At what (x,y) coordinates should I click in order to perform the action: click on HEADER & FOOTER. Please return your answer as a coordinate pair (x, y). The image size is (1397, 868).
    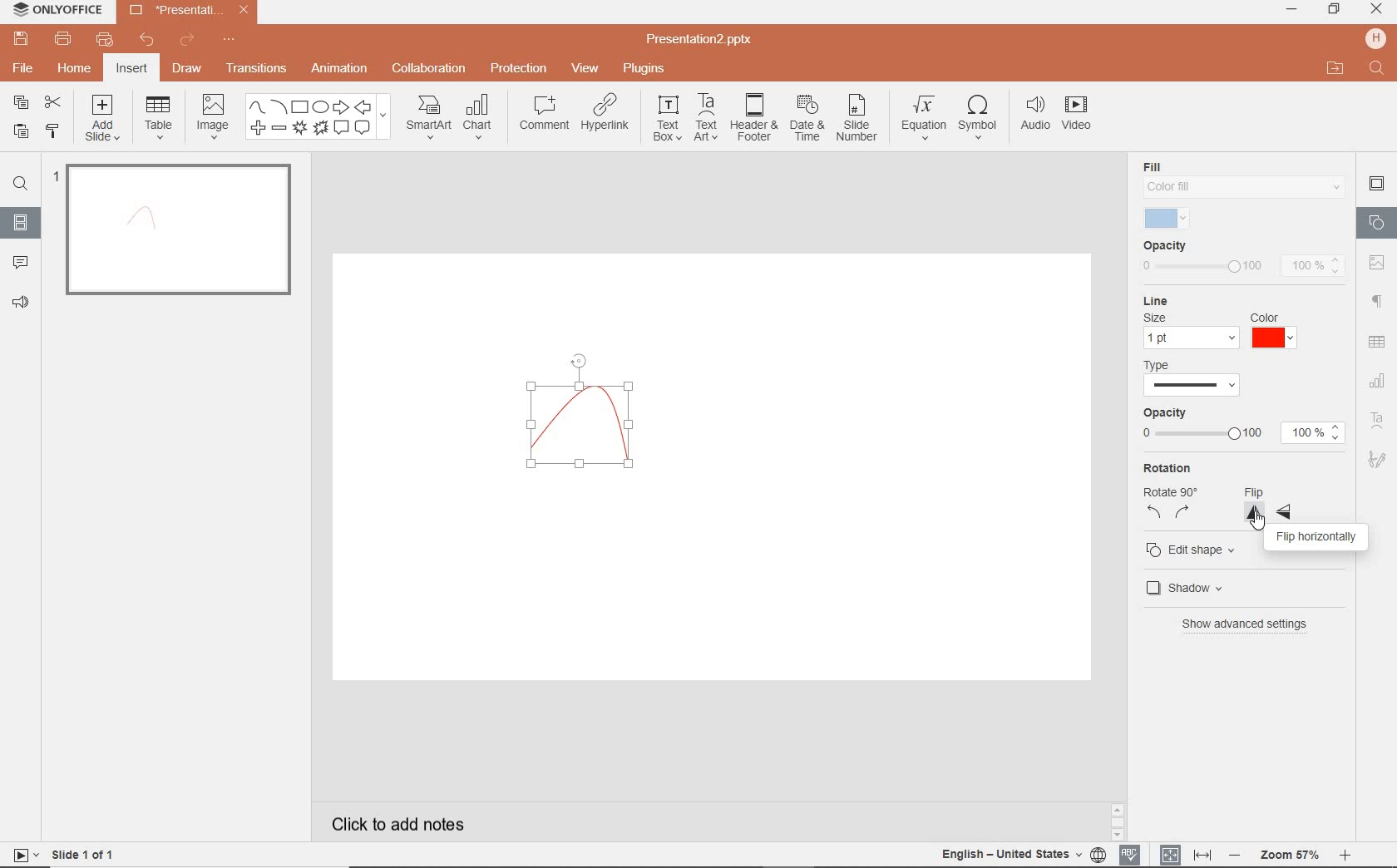
    Looking at the image, I should click on (753, 118).